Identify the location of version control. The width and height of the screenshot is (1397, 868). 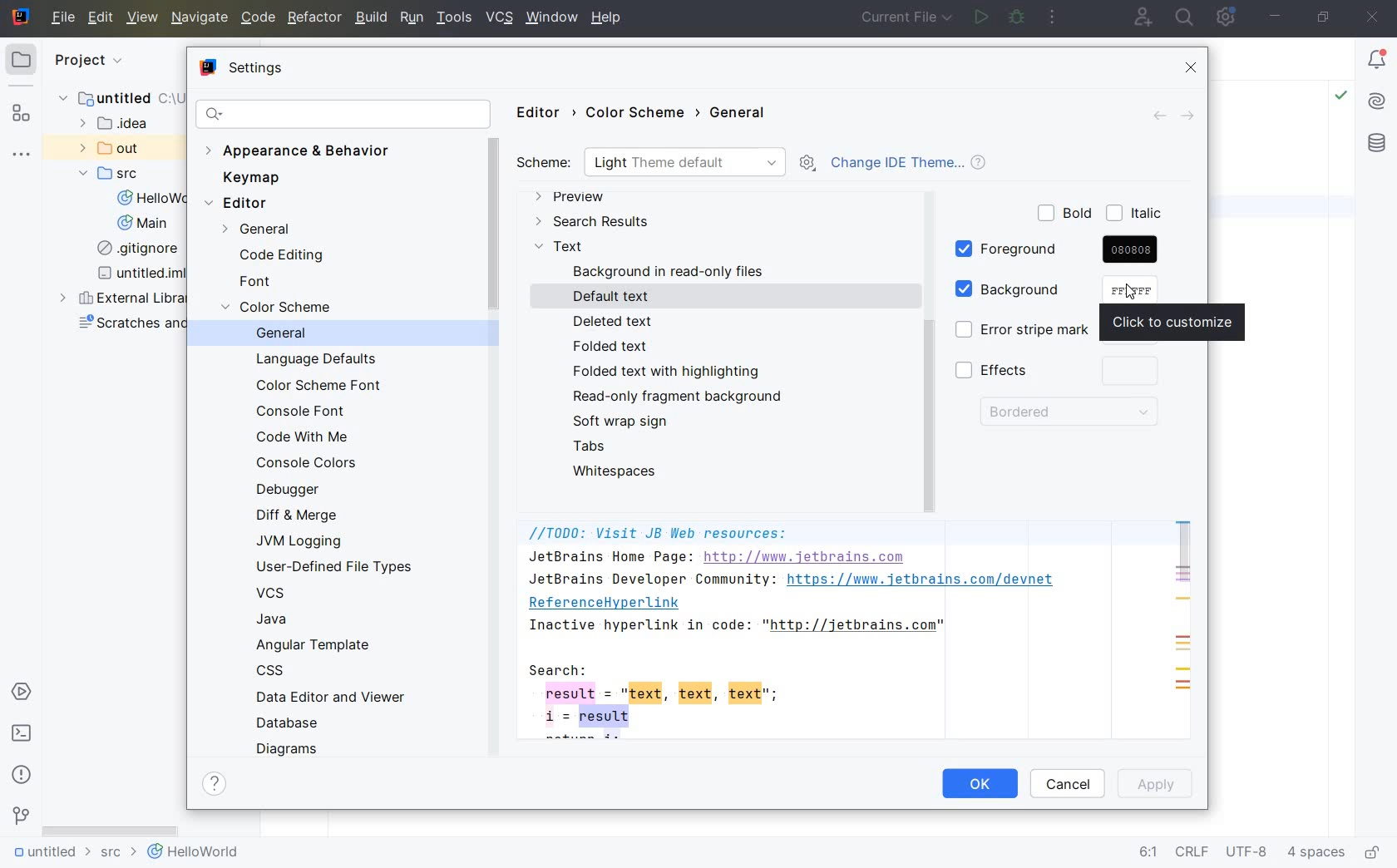
(20, 818).